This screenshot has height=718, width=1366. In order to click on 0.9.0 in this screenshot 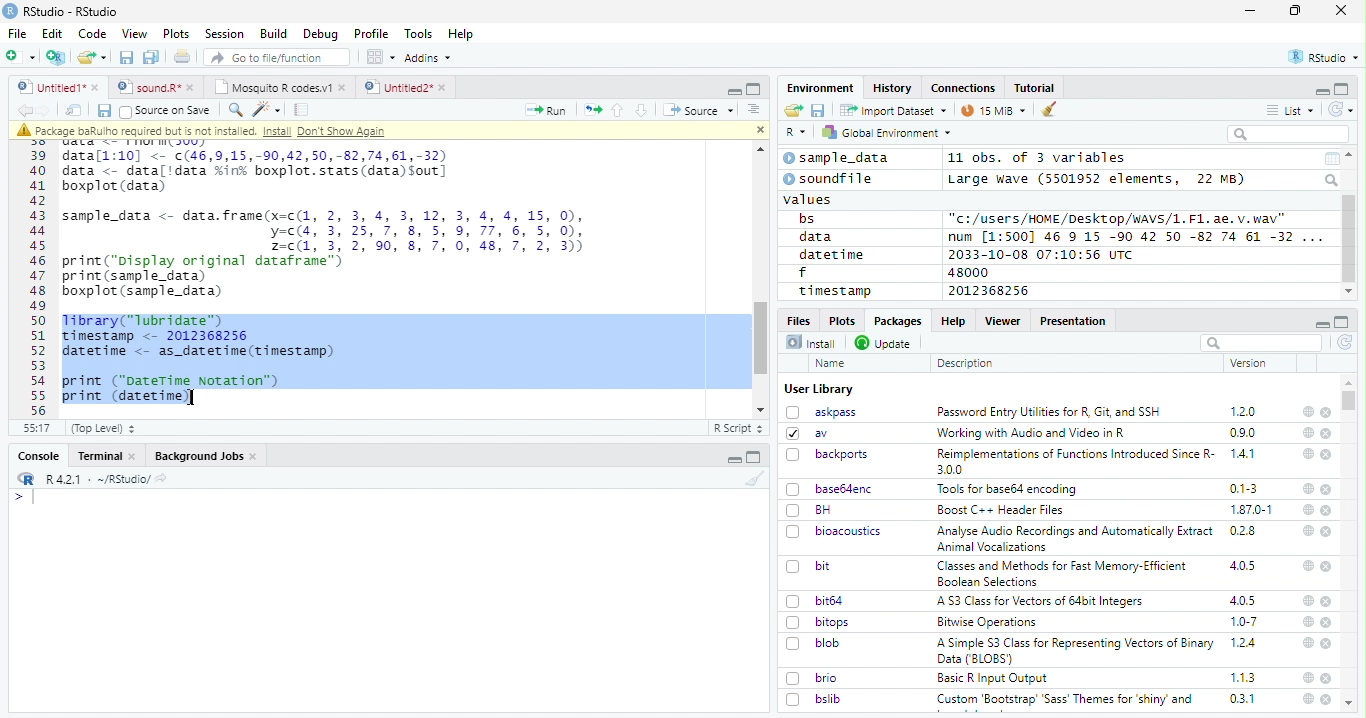, I will do `click(1243, 433)`.